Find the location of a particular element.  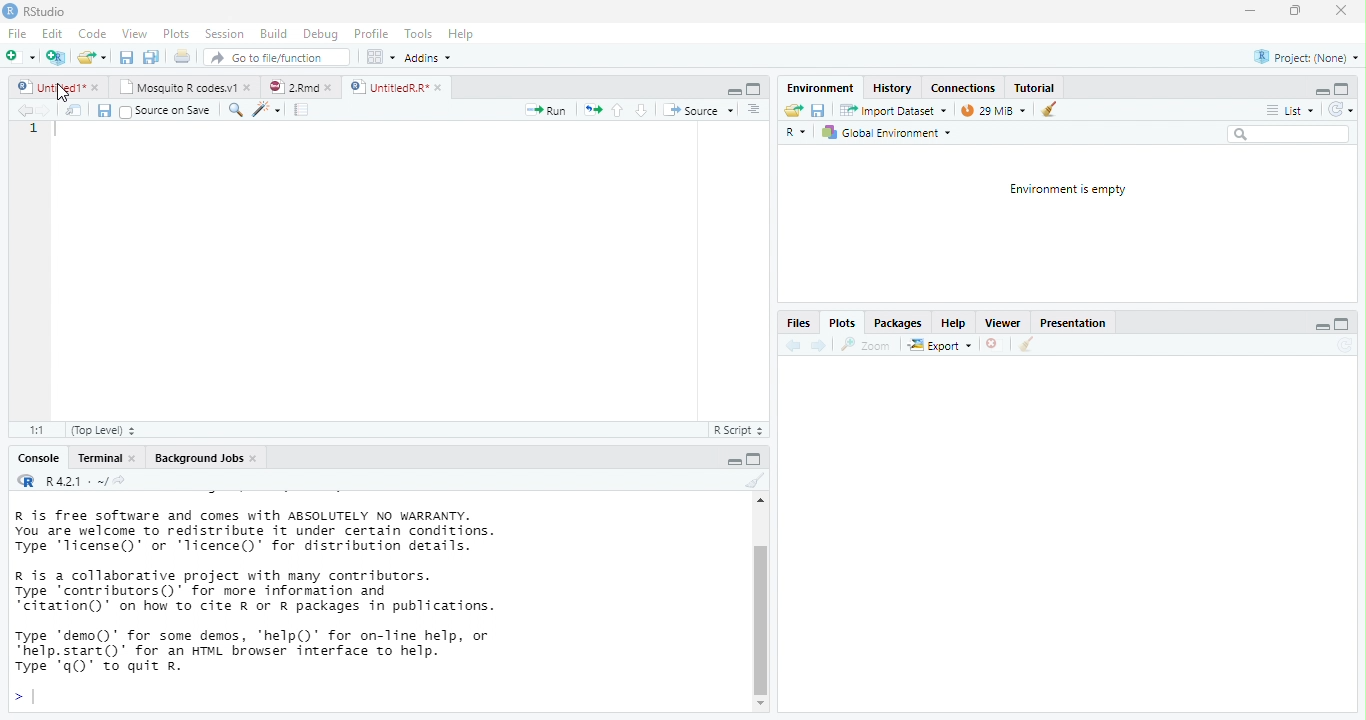

Source on Save is located at coordinates (164, 111).